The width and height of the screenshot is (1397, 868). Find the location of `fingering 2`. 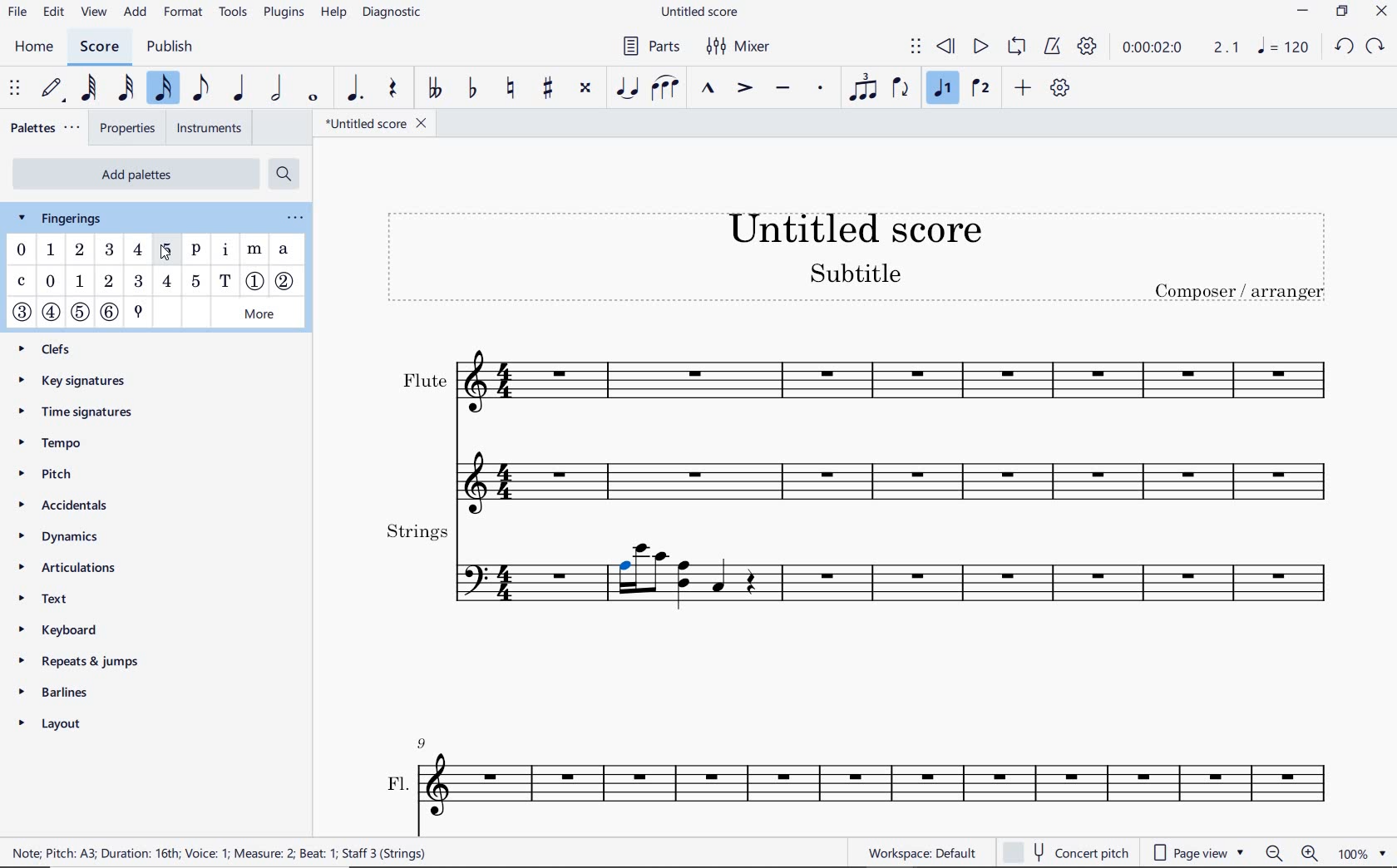

fingering 2 is located at coordinates (81, 250).